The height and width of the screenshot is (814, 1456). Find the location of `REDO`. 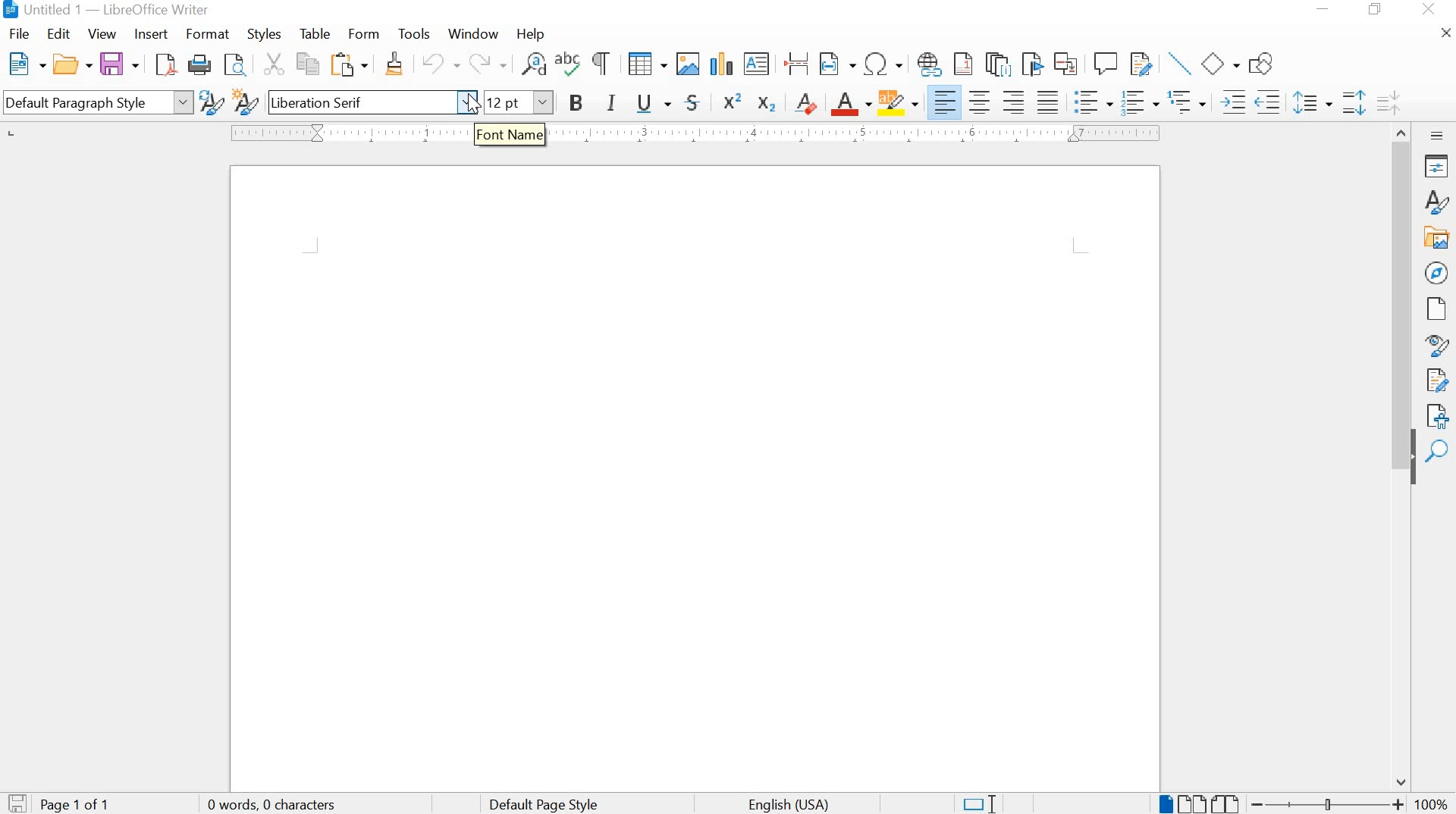

REDO is located at coordinates (490, 64).